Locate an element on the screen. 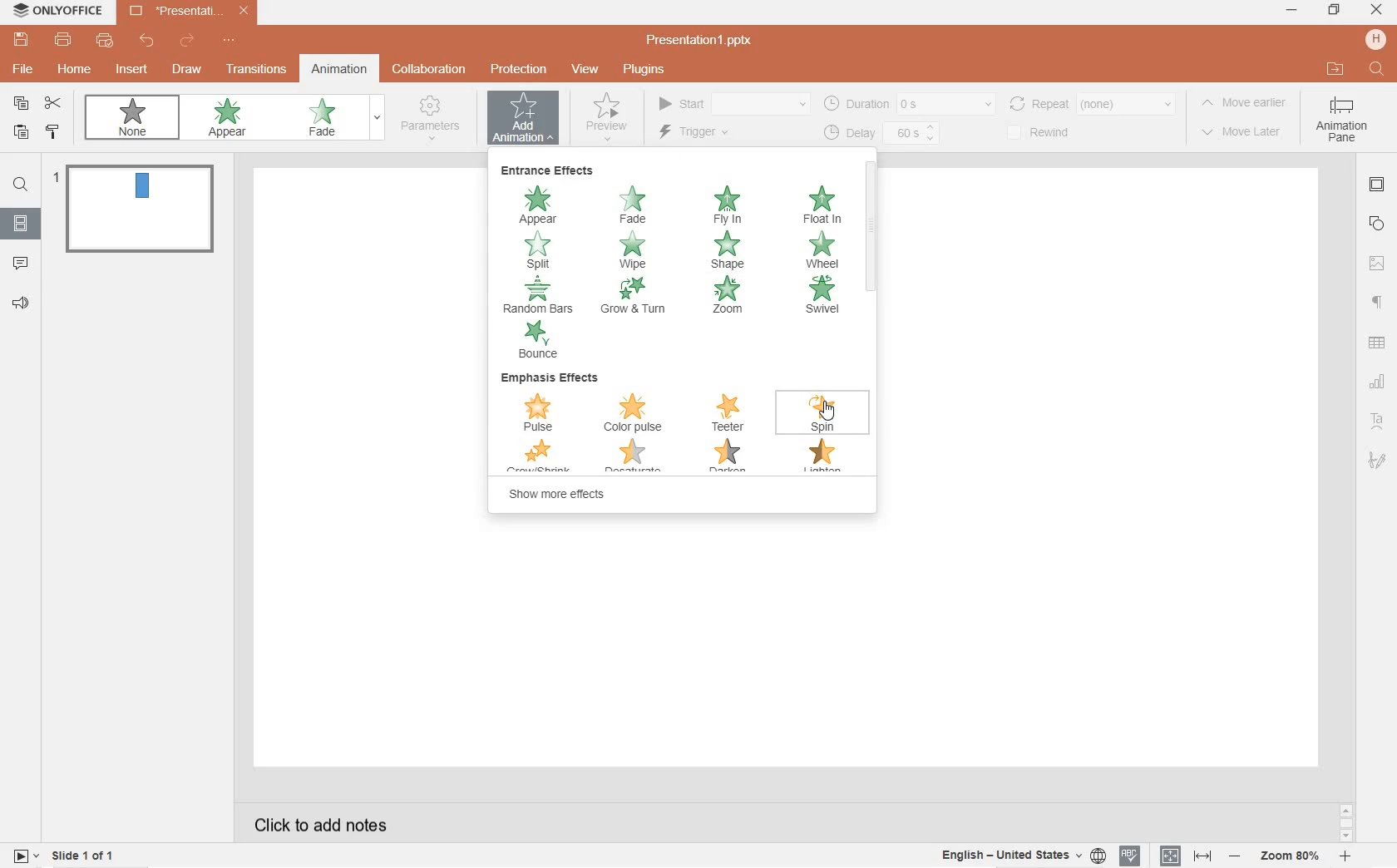 This screenshot has width=1397, height=868. show more effects is located at coordinates (555, 495).